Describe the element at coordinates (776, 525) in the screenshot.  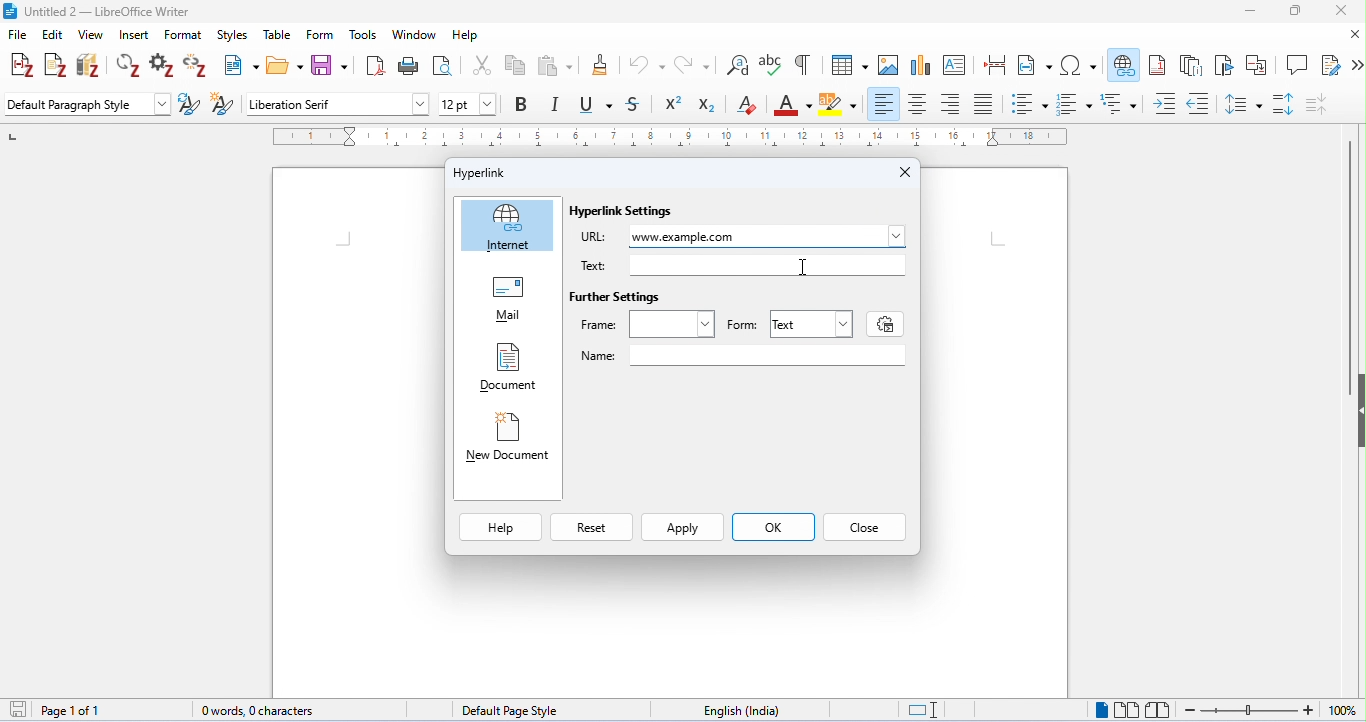
I see `ok` at that location.